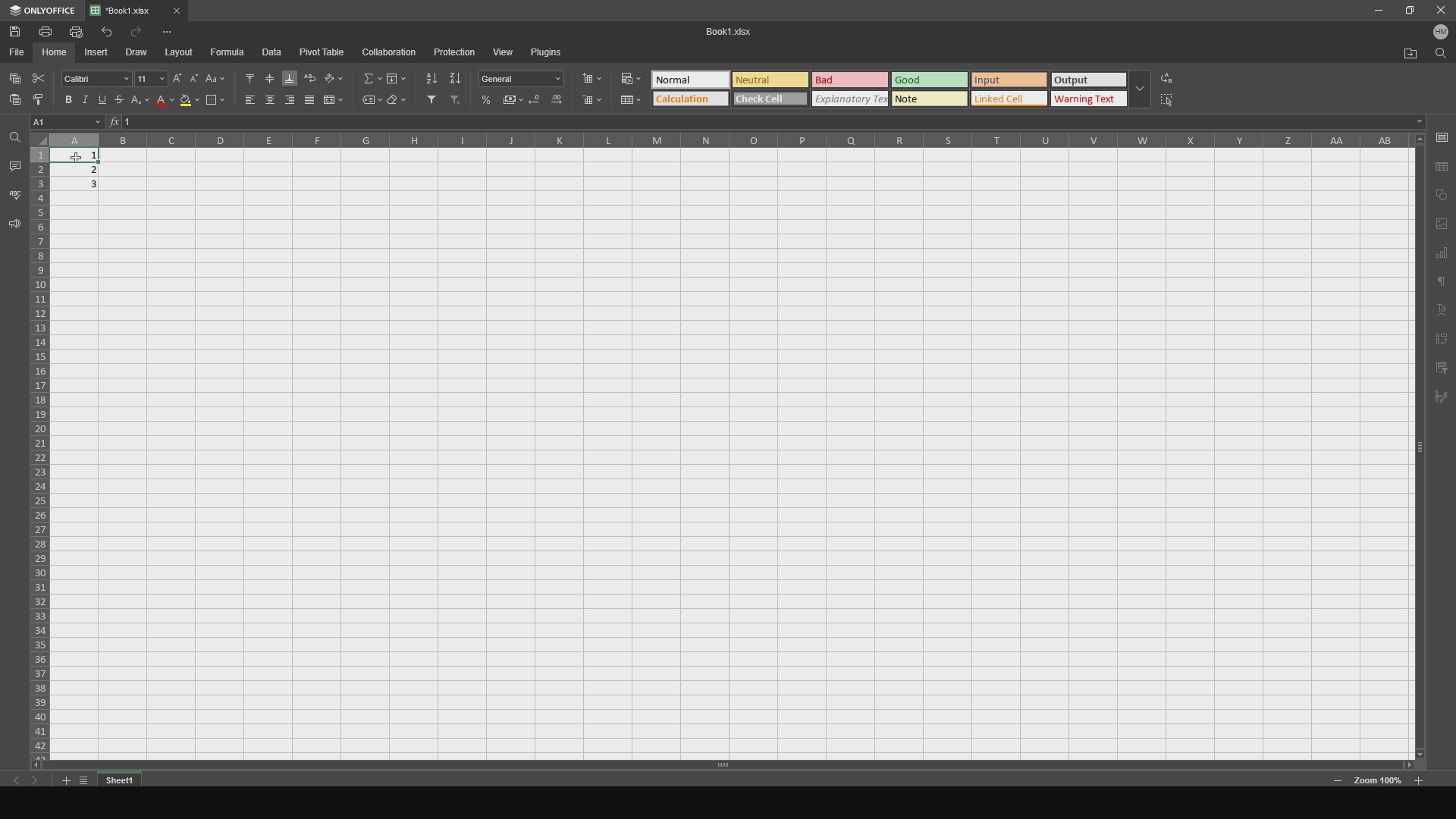 This screenshot has width=1456, height=819. What do you see at coordinates (63, 782) in the screenshot?
I see `add tab` at bounding box center [63, 782].